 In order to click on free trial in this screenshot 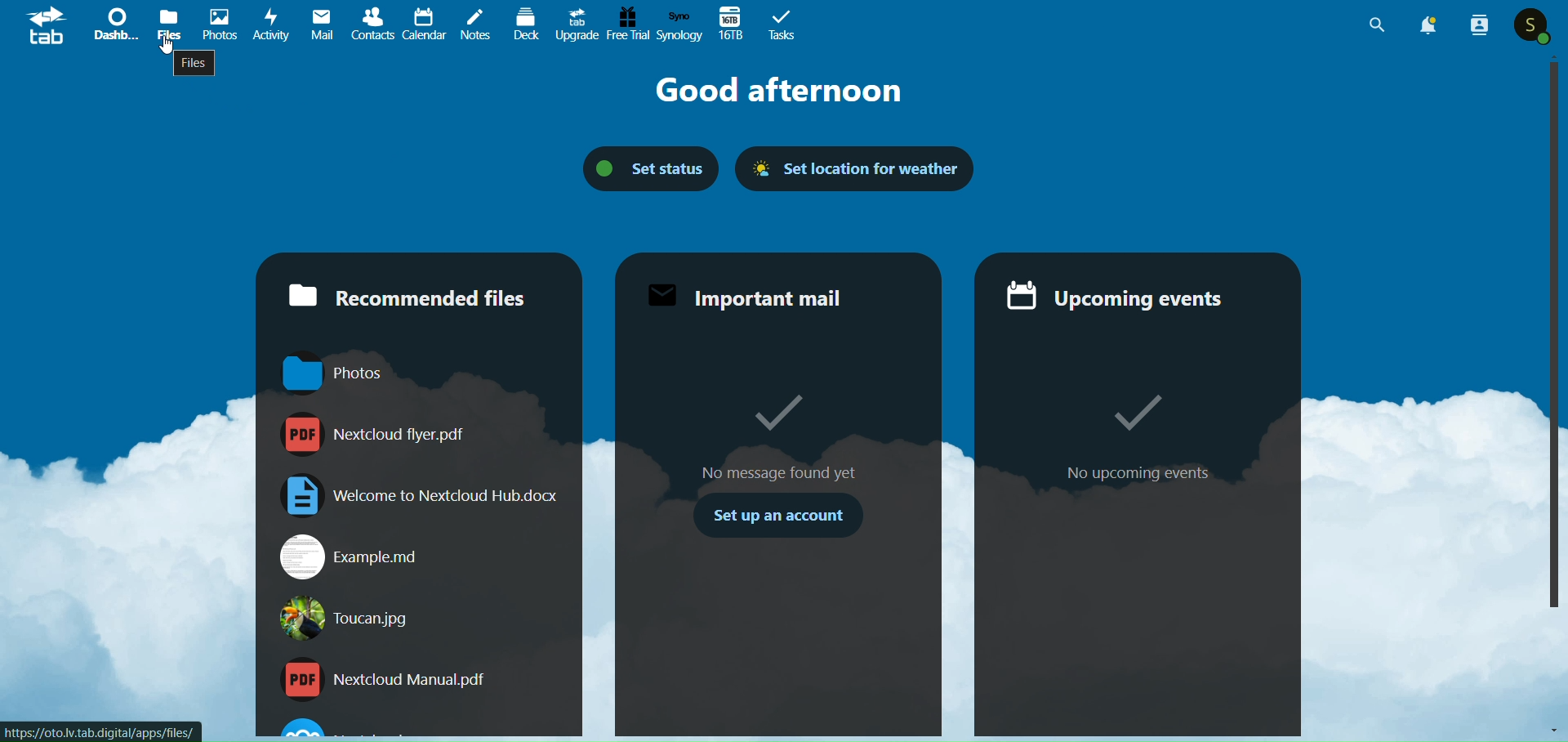, I will do `click(628, 25)`.